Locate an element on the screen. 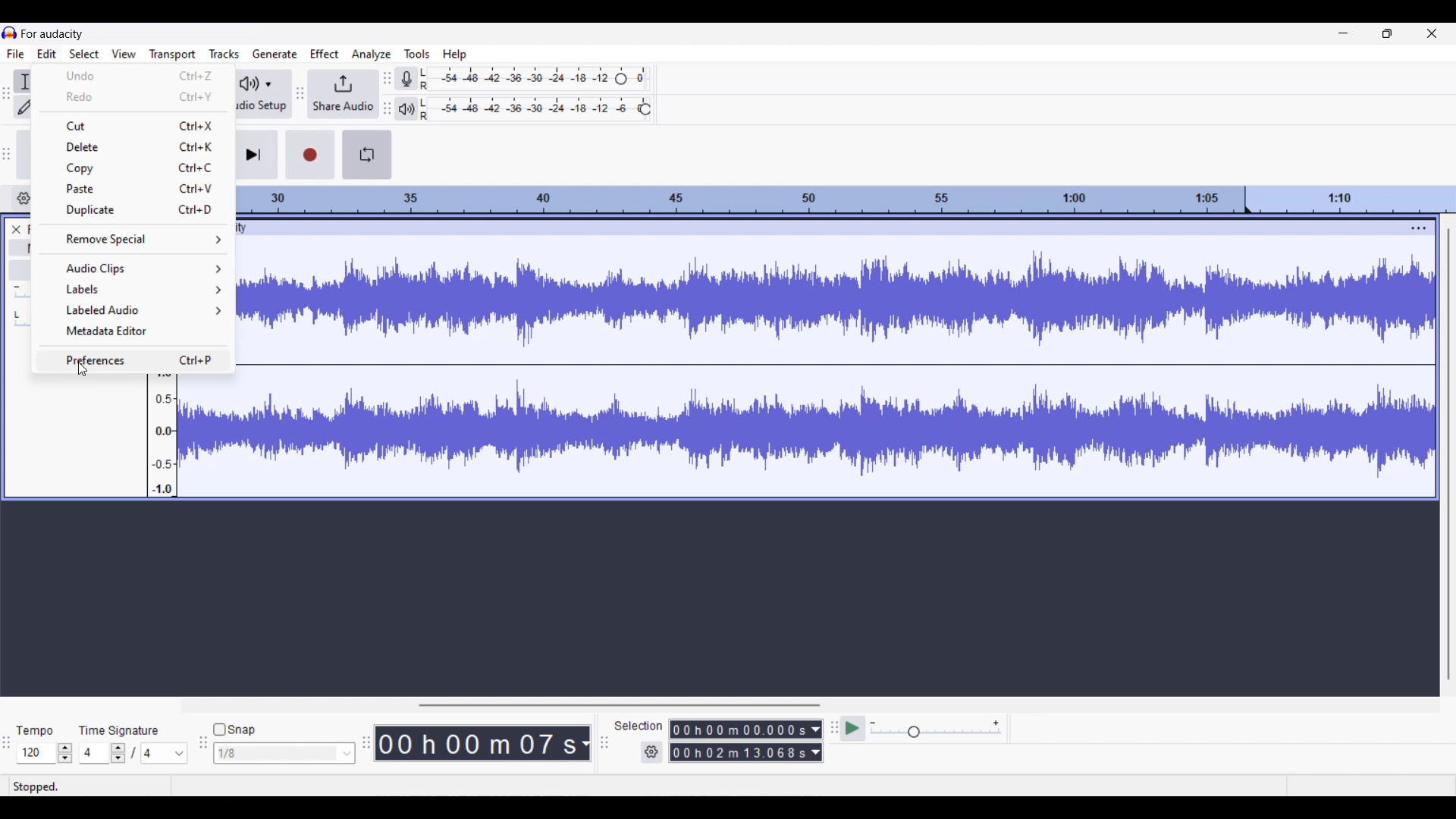 The image size is (1456, 819). Select menu is located at coordinates (83, 54).